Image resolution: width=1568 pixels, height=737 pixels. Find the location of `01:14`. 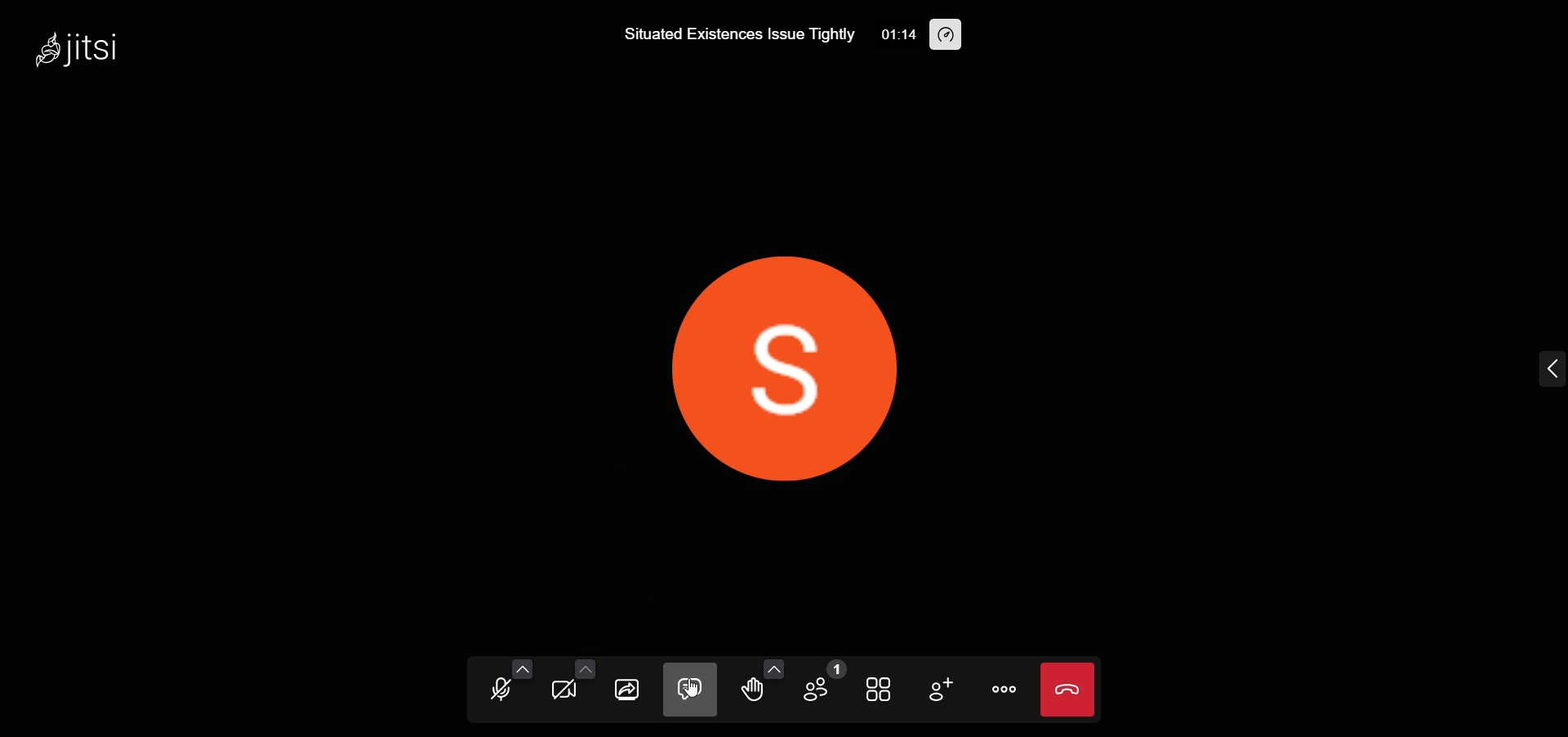

01:14 is located at coordinates (900, 34).